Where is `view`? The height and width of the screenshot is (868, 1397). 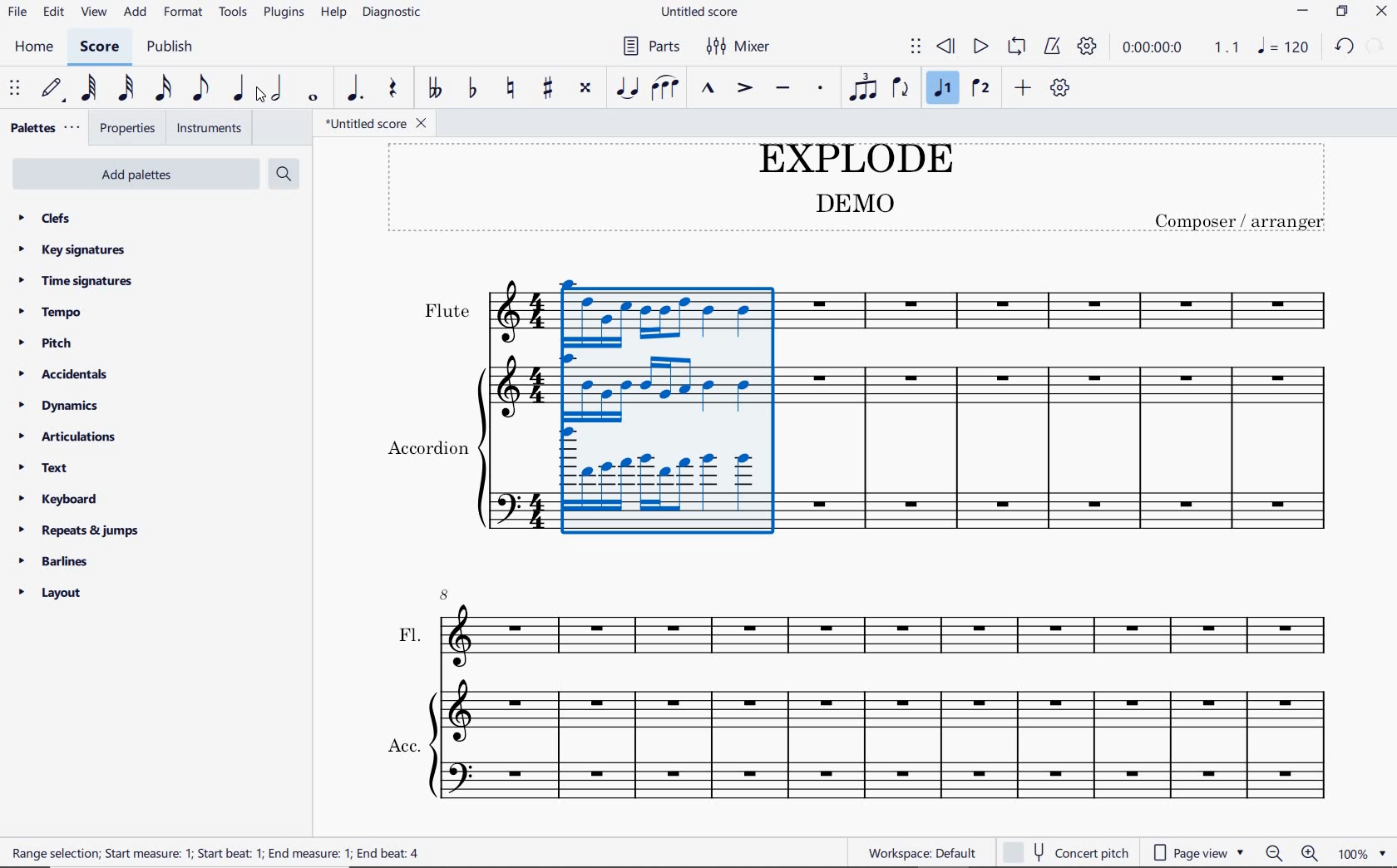 view is located at coordinates (91, 11).